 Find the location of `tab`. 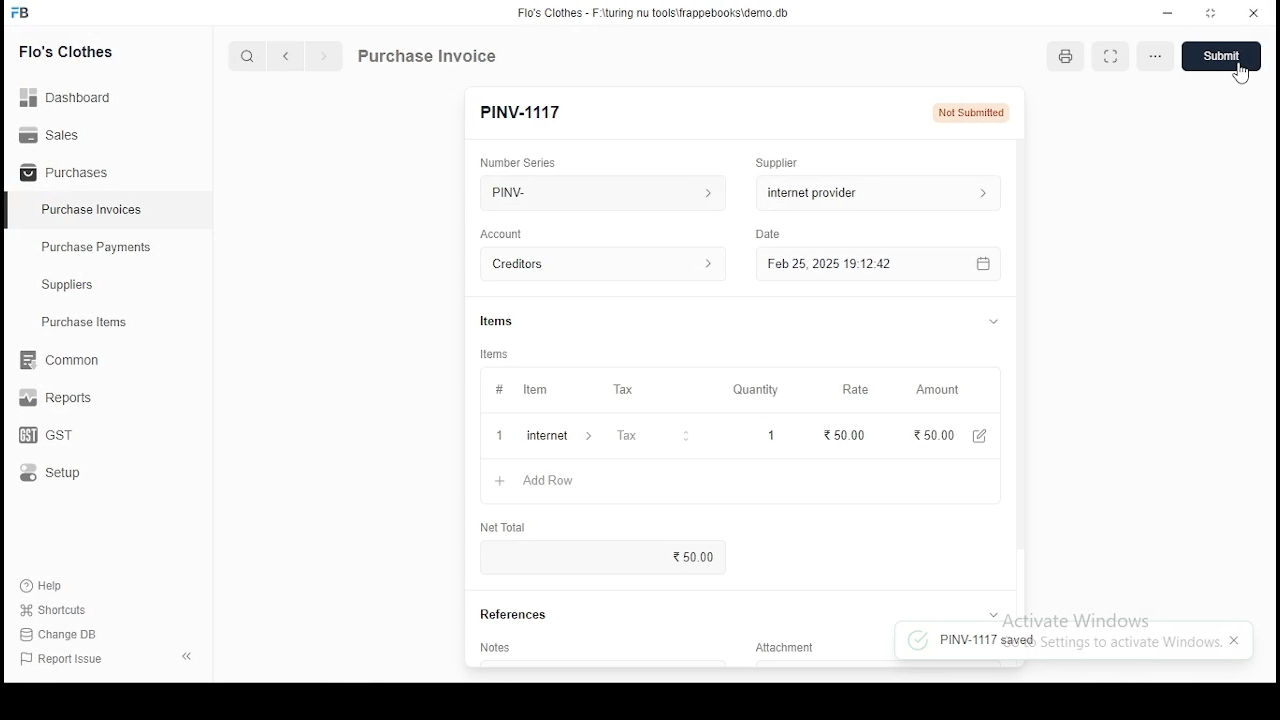

tab is located at coordinates (992, 612).